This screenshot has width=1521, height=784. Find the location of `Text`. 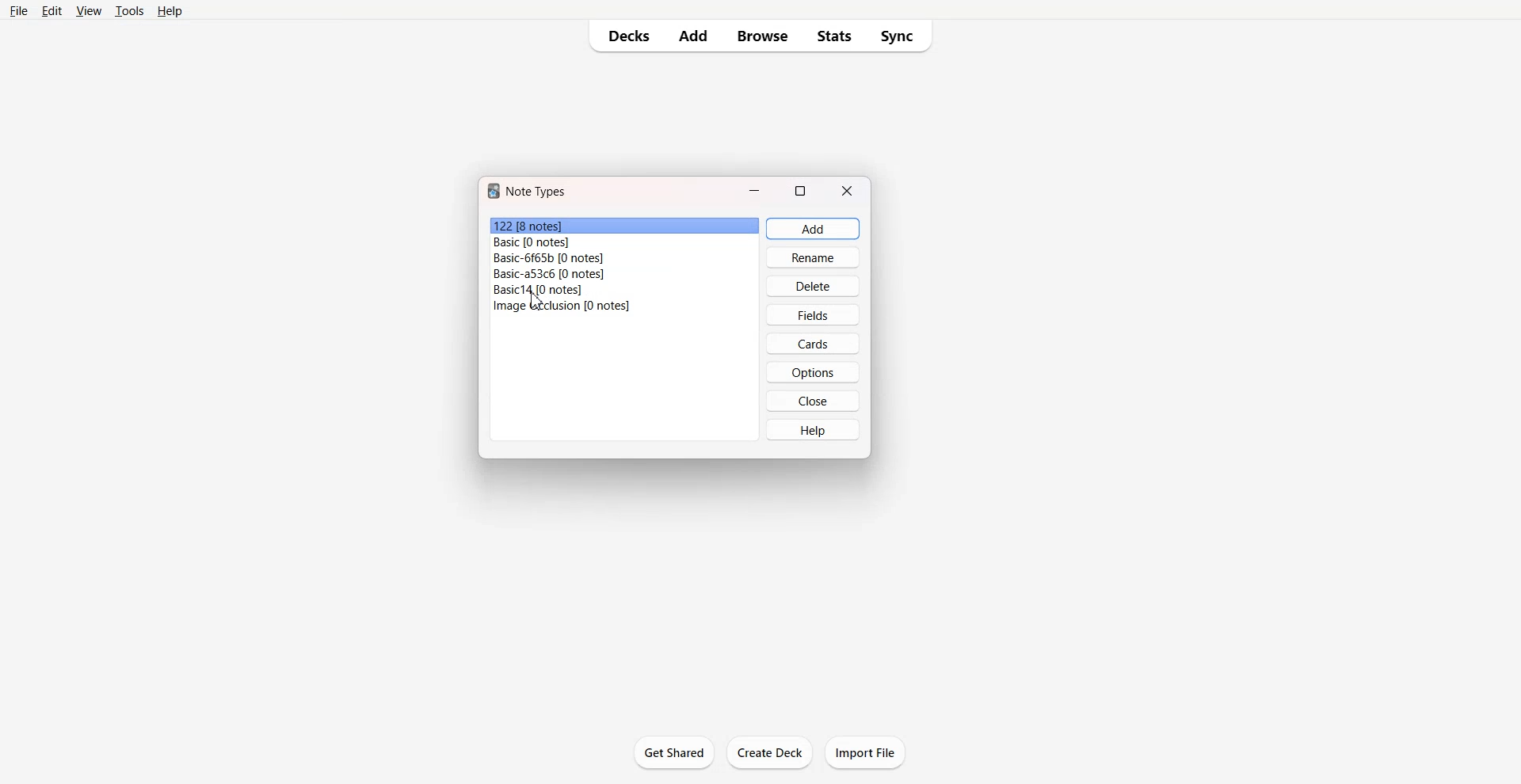

Text is located at coordinates (538, 192).